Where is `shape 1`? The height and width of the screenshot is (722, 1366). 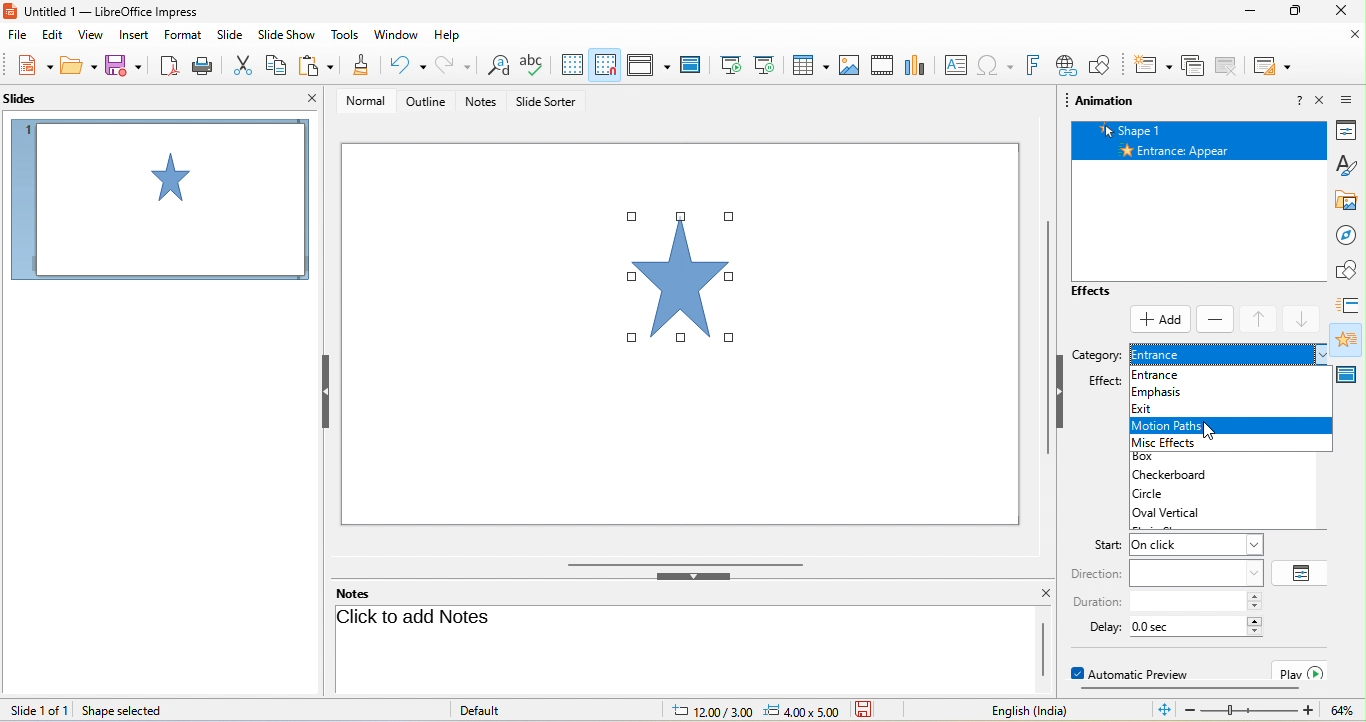
shape 1 is located at coordinates (1203, 129).